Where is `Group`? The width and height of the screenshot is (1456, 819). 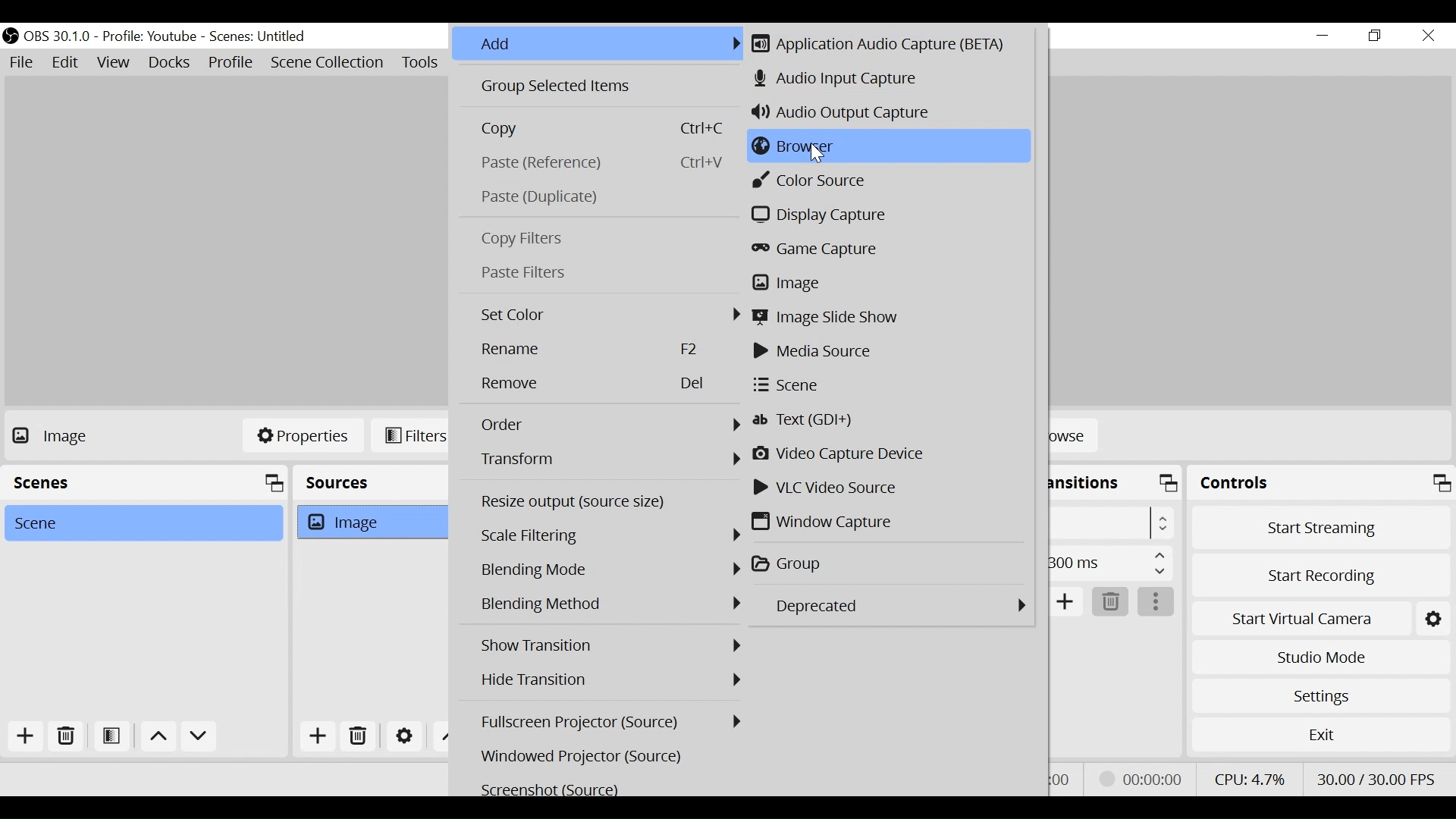 Group is located at coordinates (895, 565).